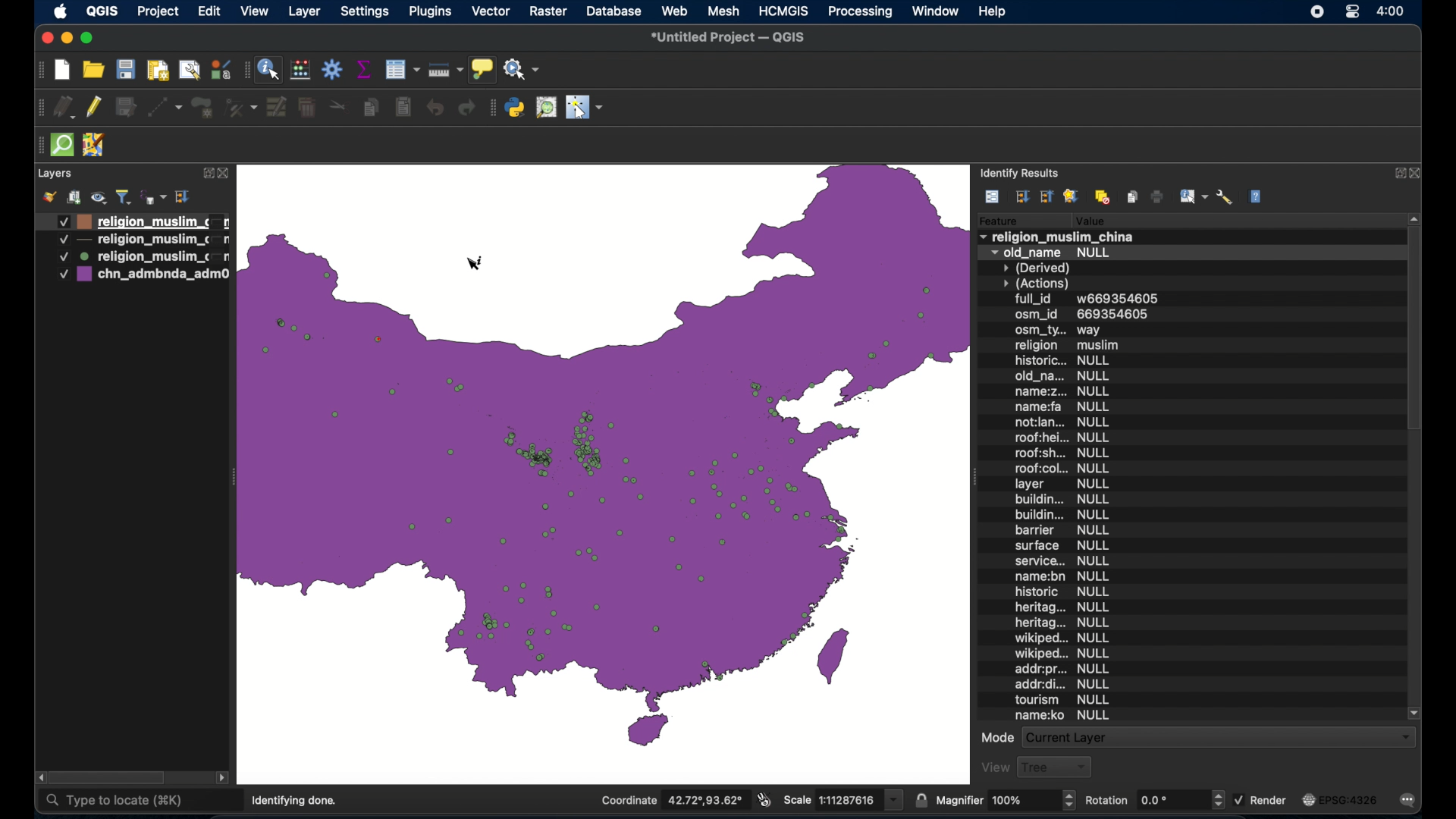  What do you see at coordinates (1061, 654) in the screenshot?
I see `Wikiped` at bounding box center [1061, 654].